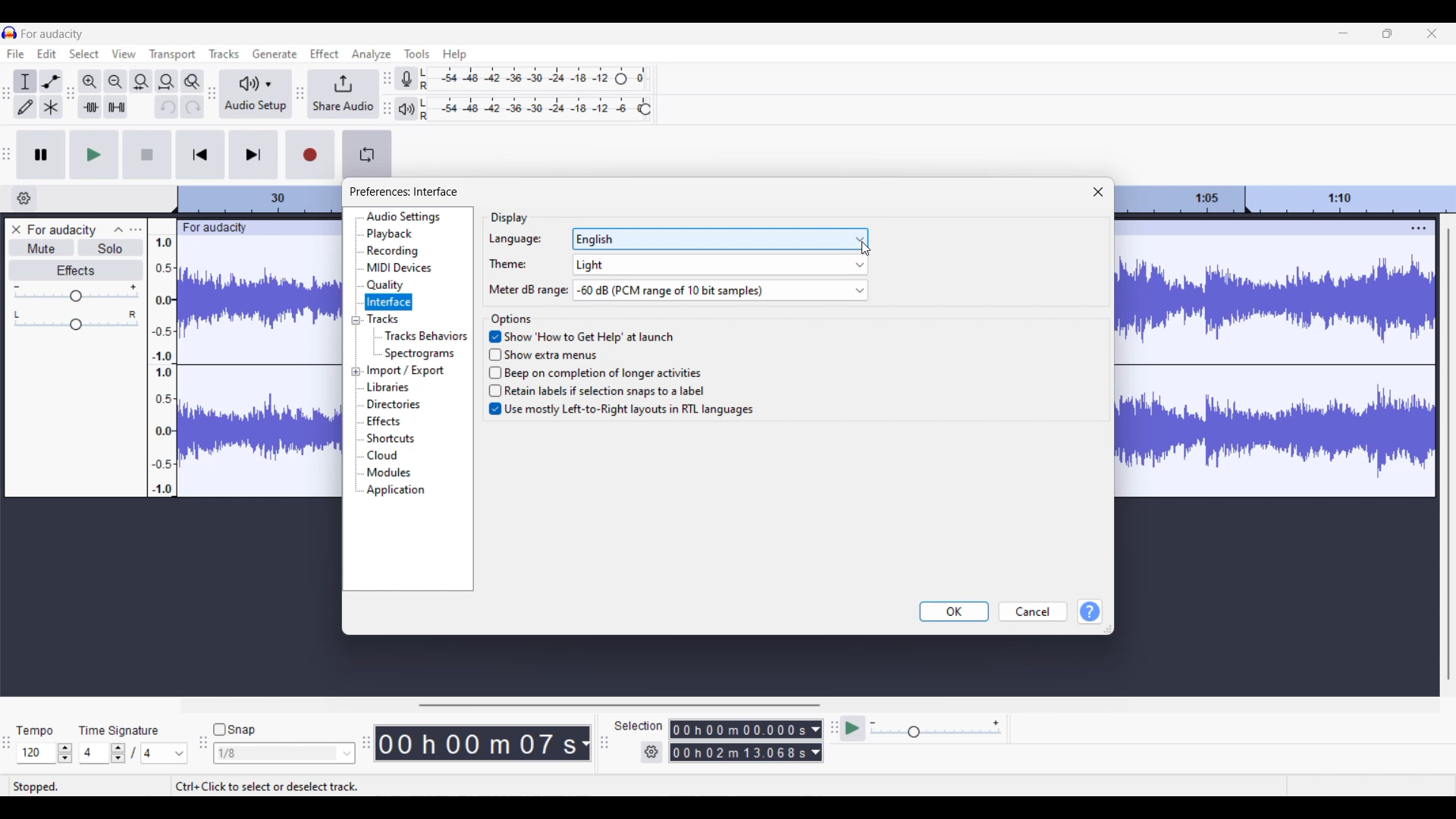 This screenshot has height=819, width=1456. What do you see at coordinates (1449, 454) in the screenshot?
I see `Vertical slide bar` at bounding box center [1449, 454].